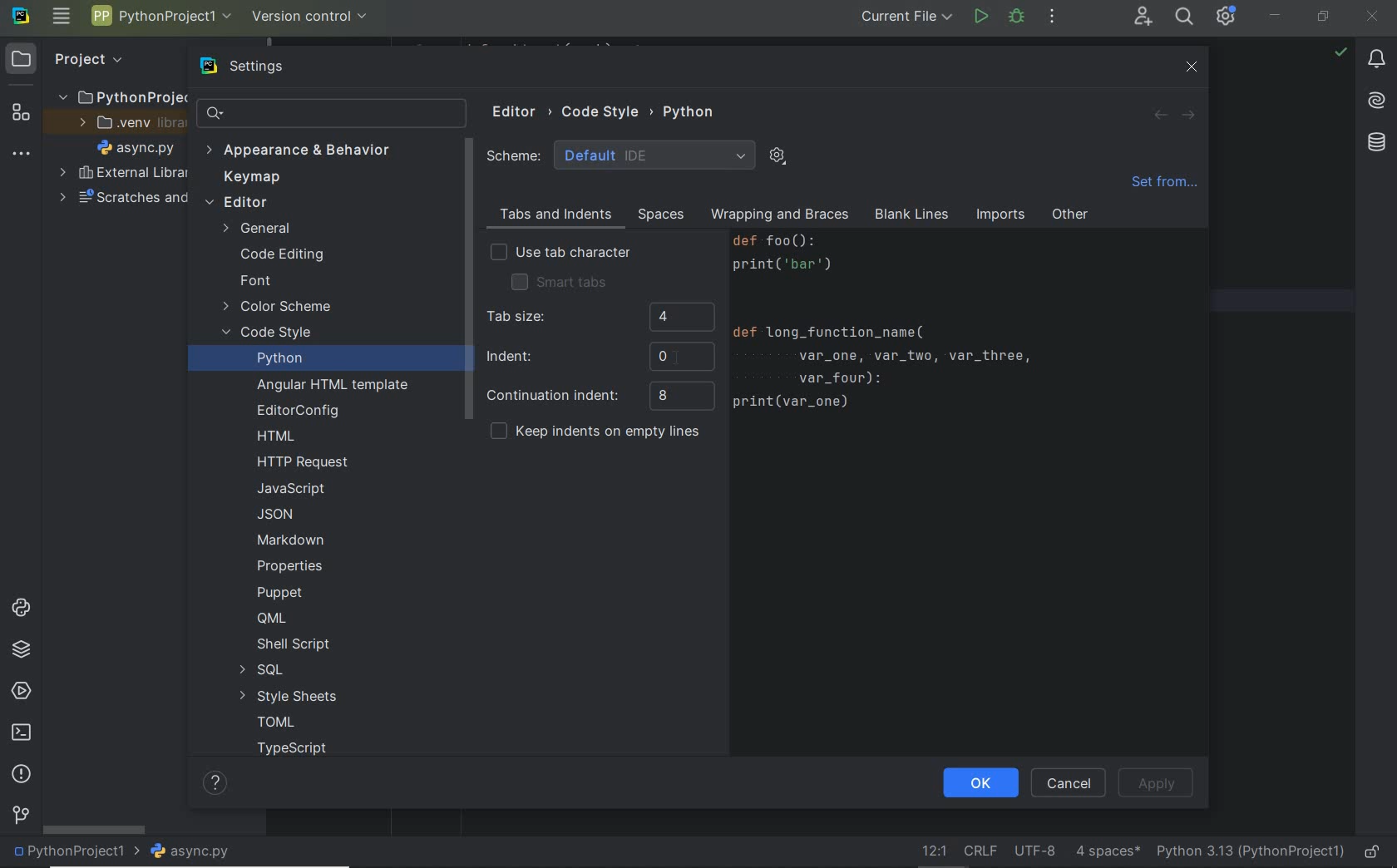 The height and width of the screenshot is (868, 1397). Describe the element at coordinates (909, 18) in the screenshot. I see `current file` at that location.